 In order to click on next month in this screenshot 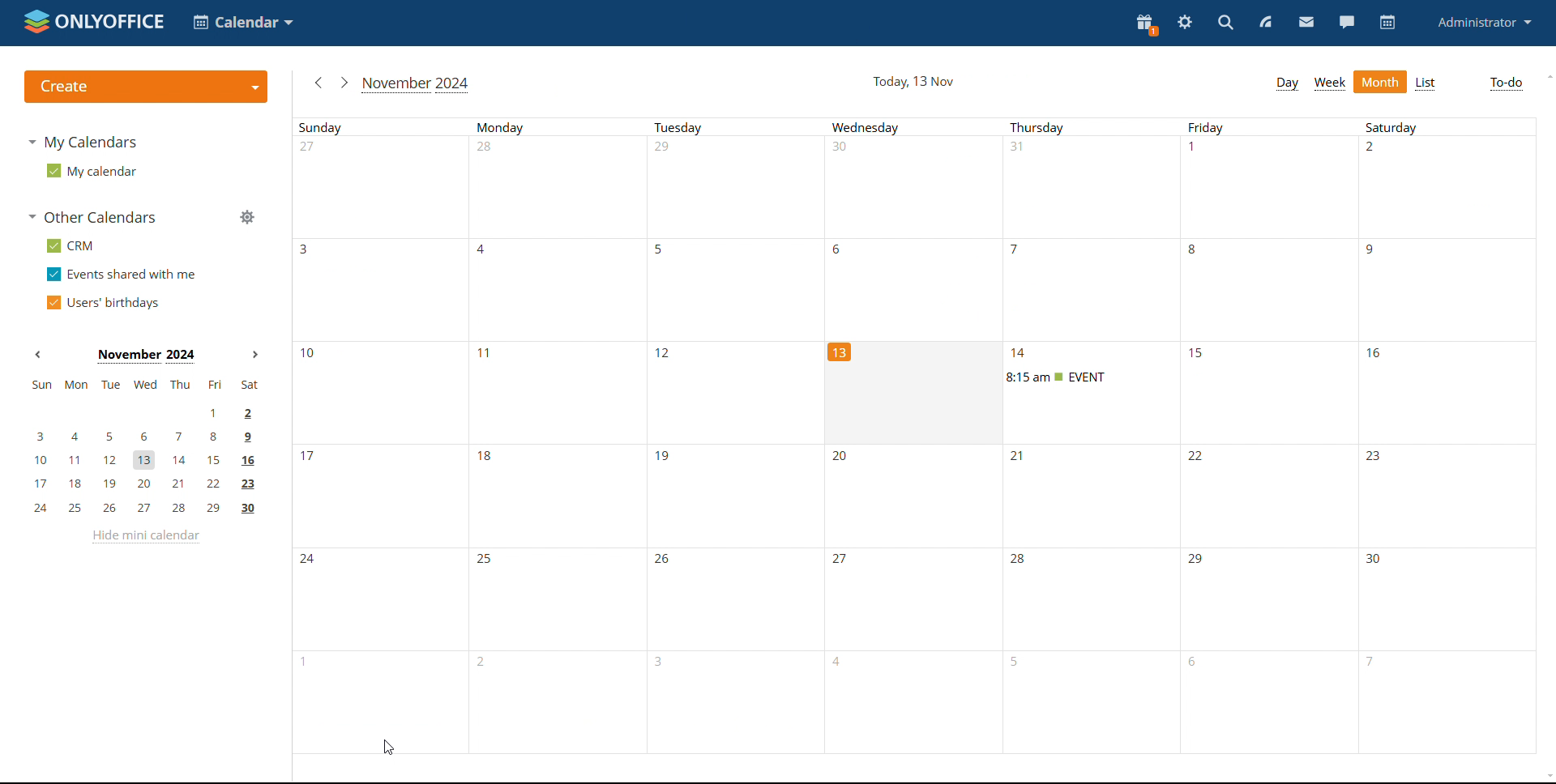, I will do `click(344, 83)`.